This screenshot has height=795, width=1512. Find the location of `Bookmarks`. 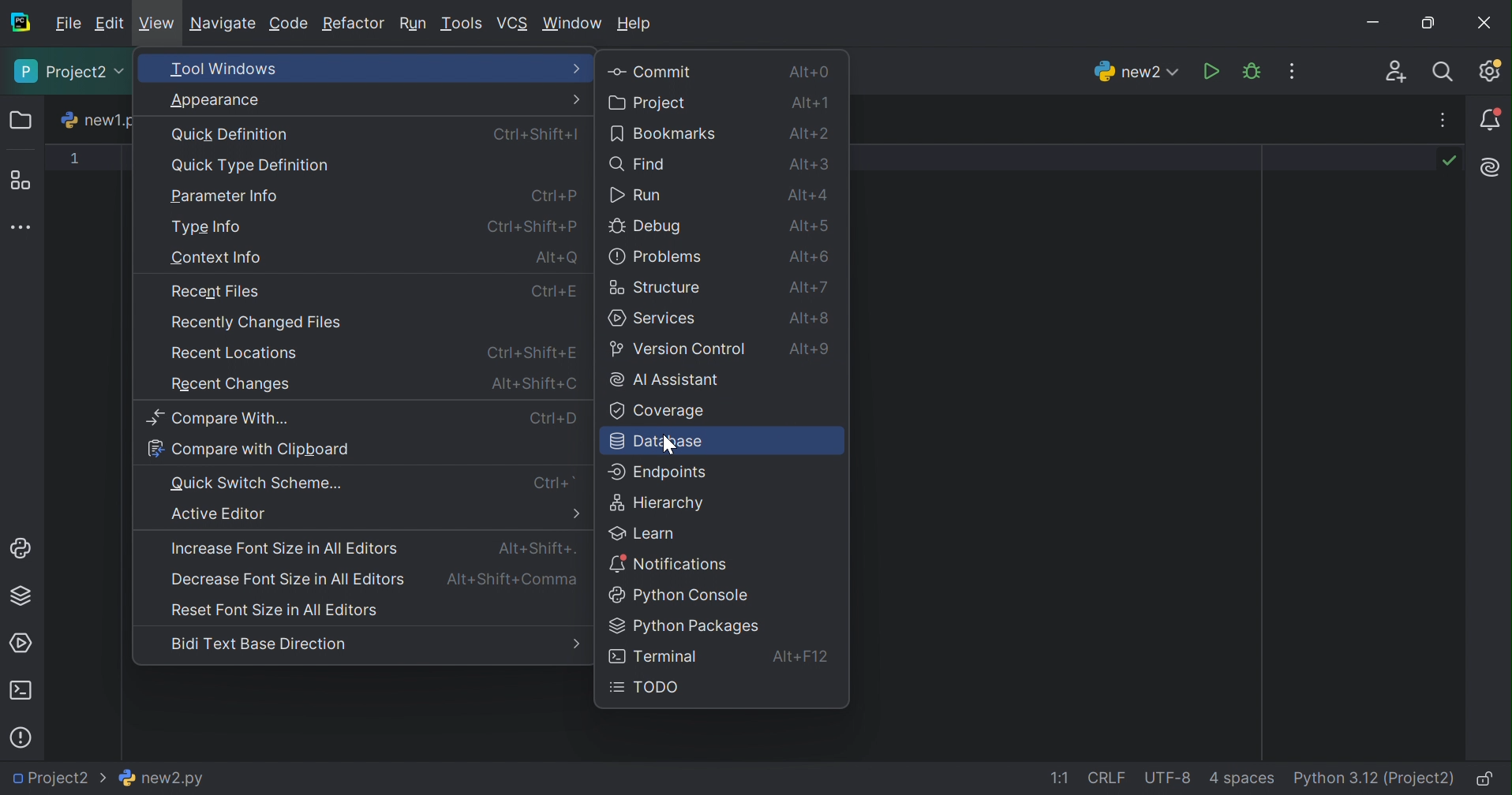

Bookmarks is located at coordinates (665, 132).